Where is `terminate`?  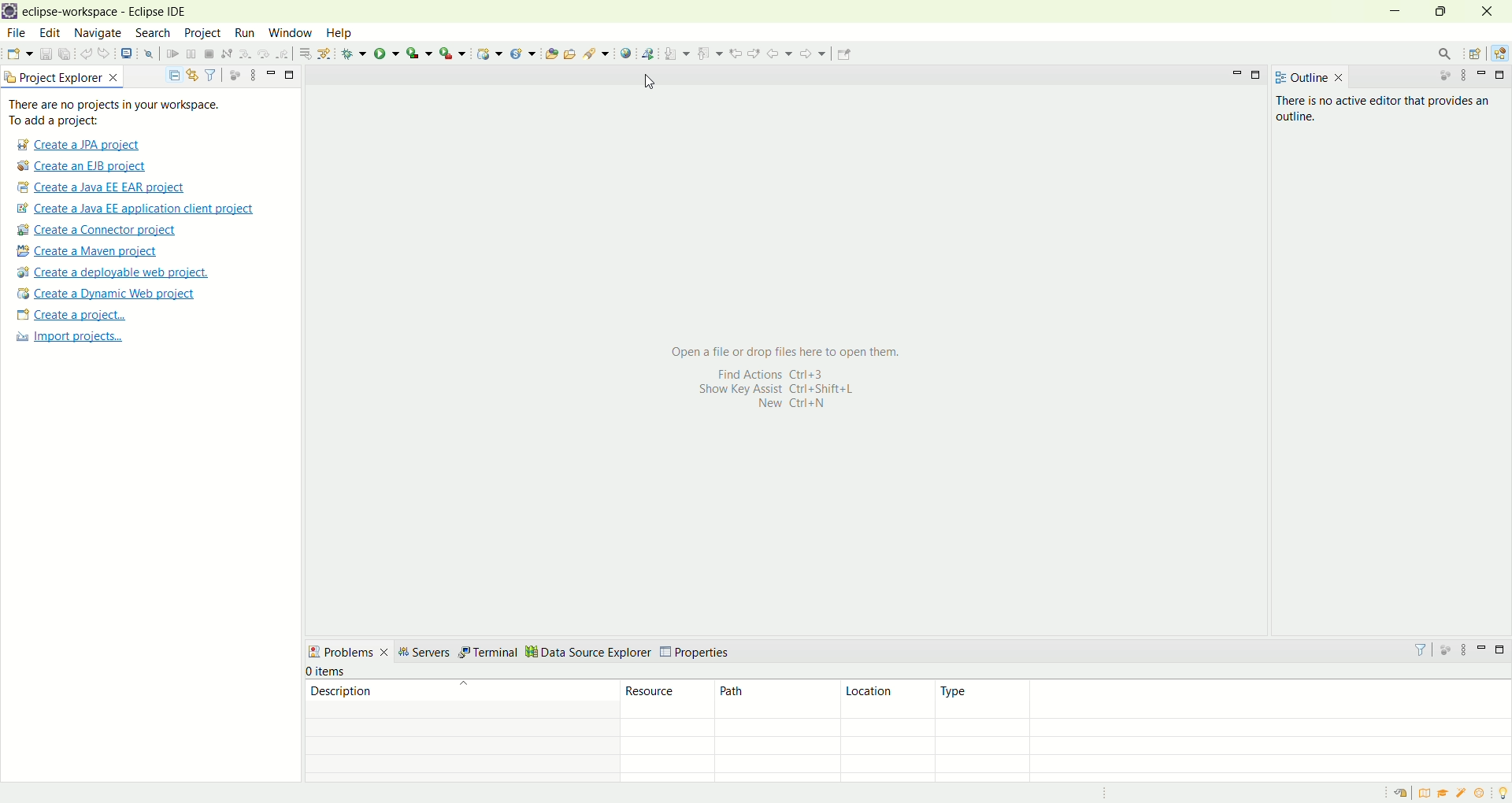 terminate is located at coordinates (209, 55).